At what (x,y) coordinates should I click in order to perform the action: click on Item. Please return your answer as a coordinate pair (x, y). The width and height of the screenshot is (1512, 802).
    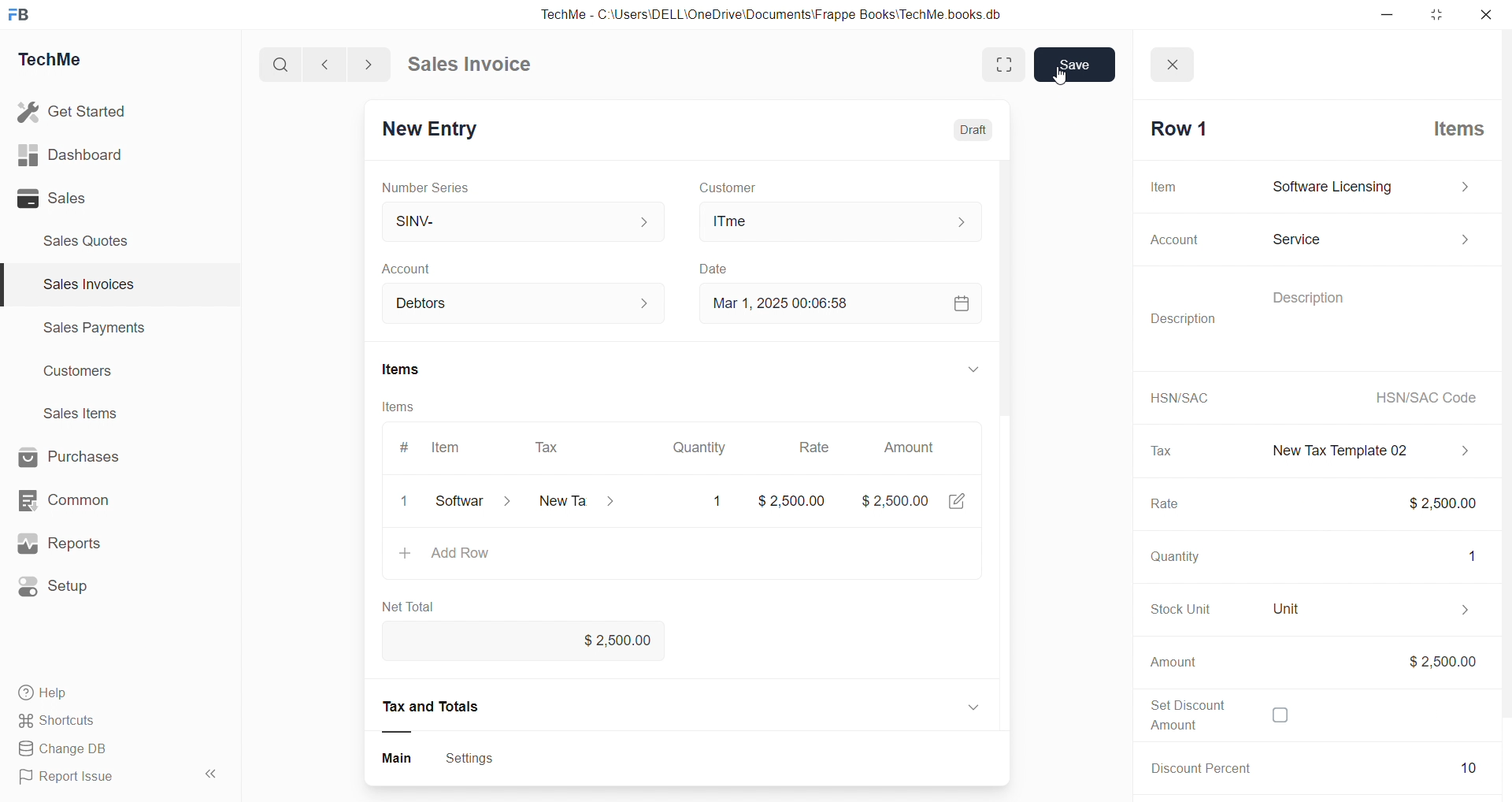
    Looking at the image, I should click on (1165, 186).